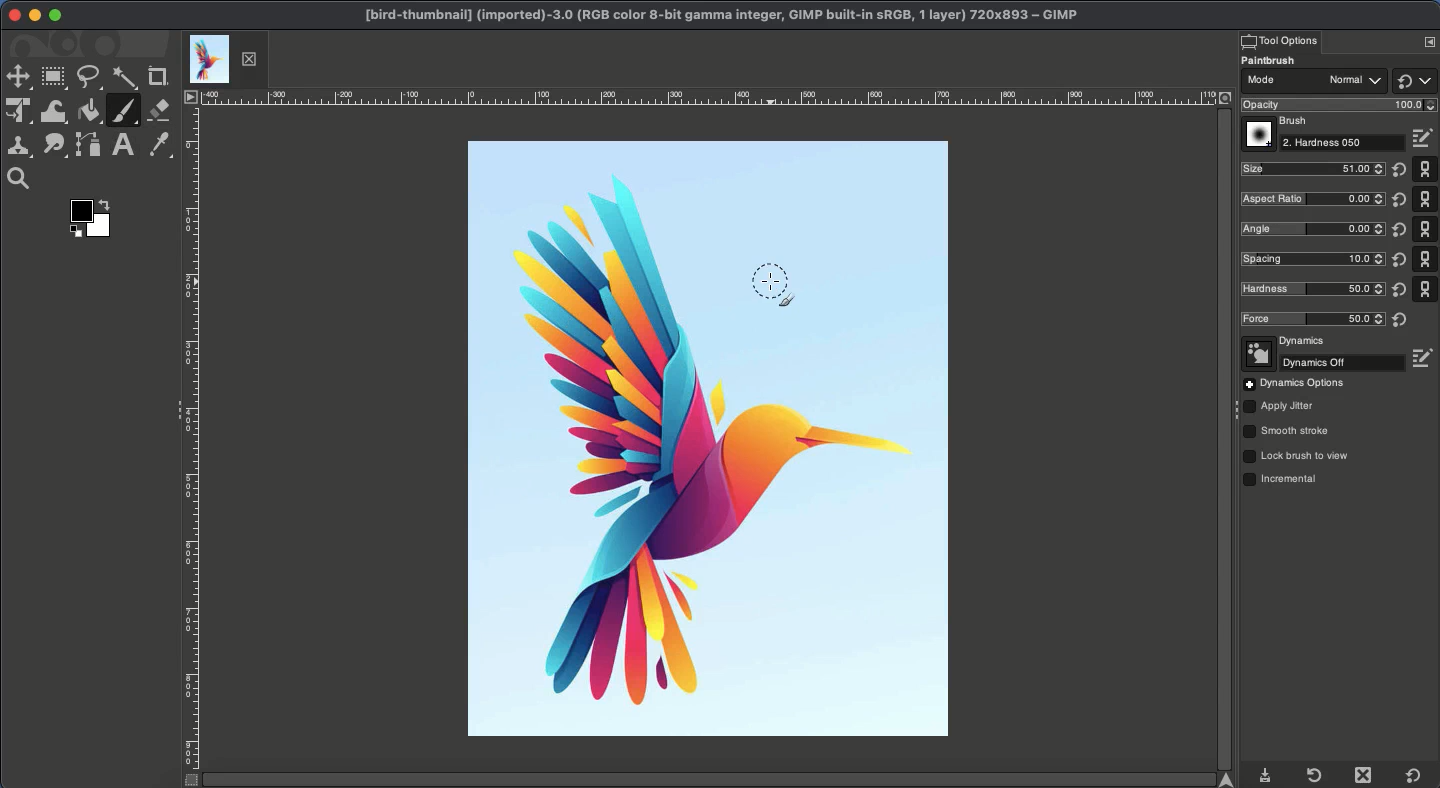 This screenshot has height=788, width=1440. Describe the element at coordinates (1312, 169) in the screenshot. I see `Size` at that location.